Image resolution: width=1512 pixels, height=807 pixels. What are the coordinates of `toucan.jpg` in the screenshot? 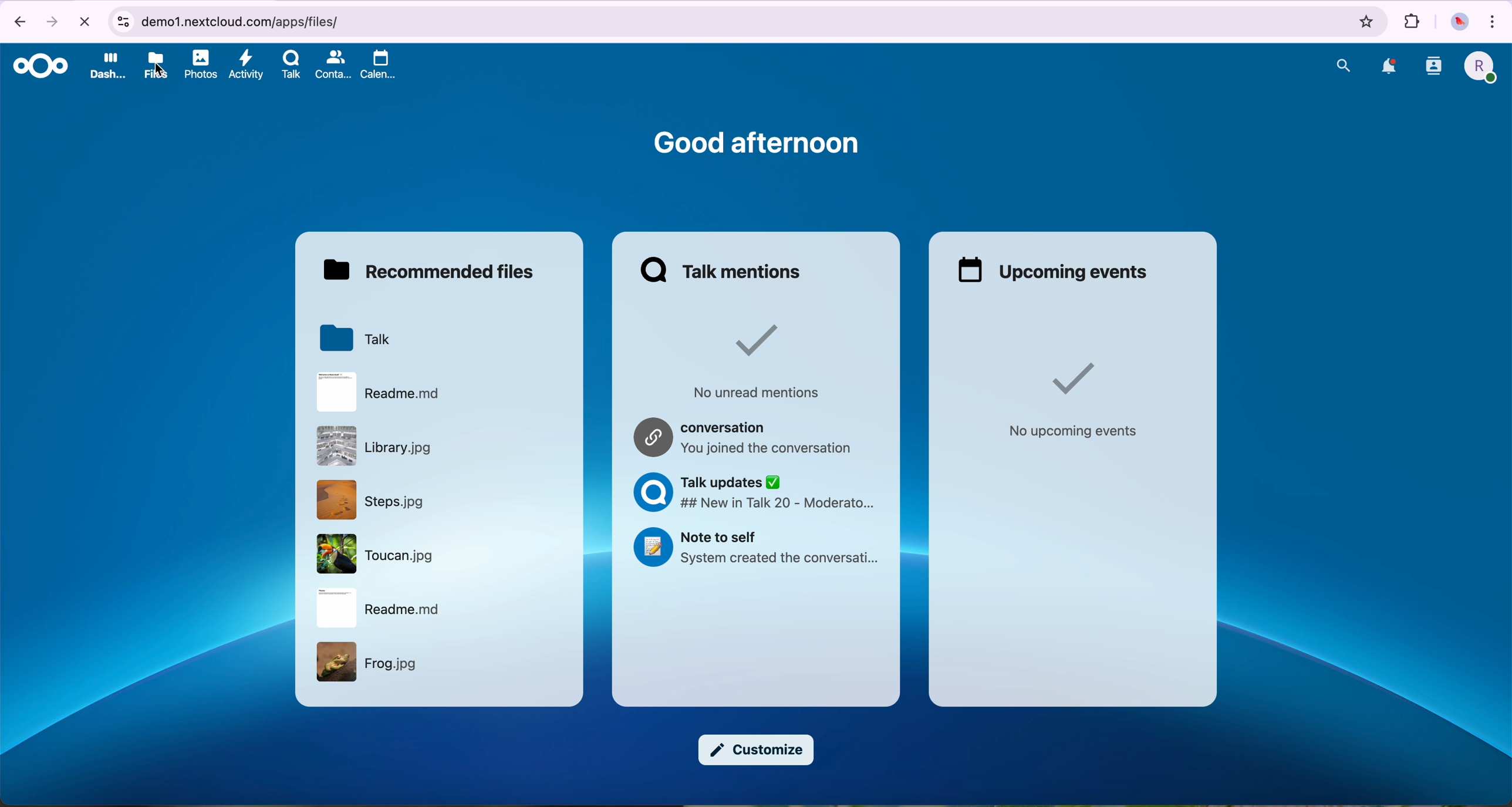 It's located at (378, 555).